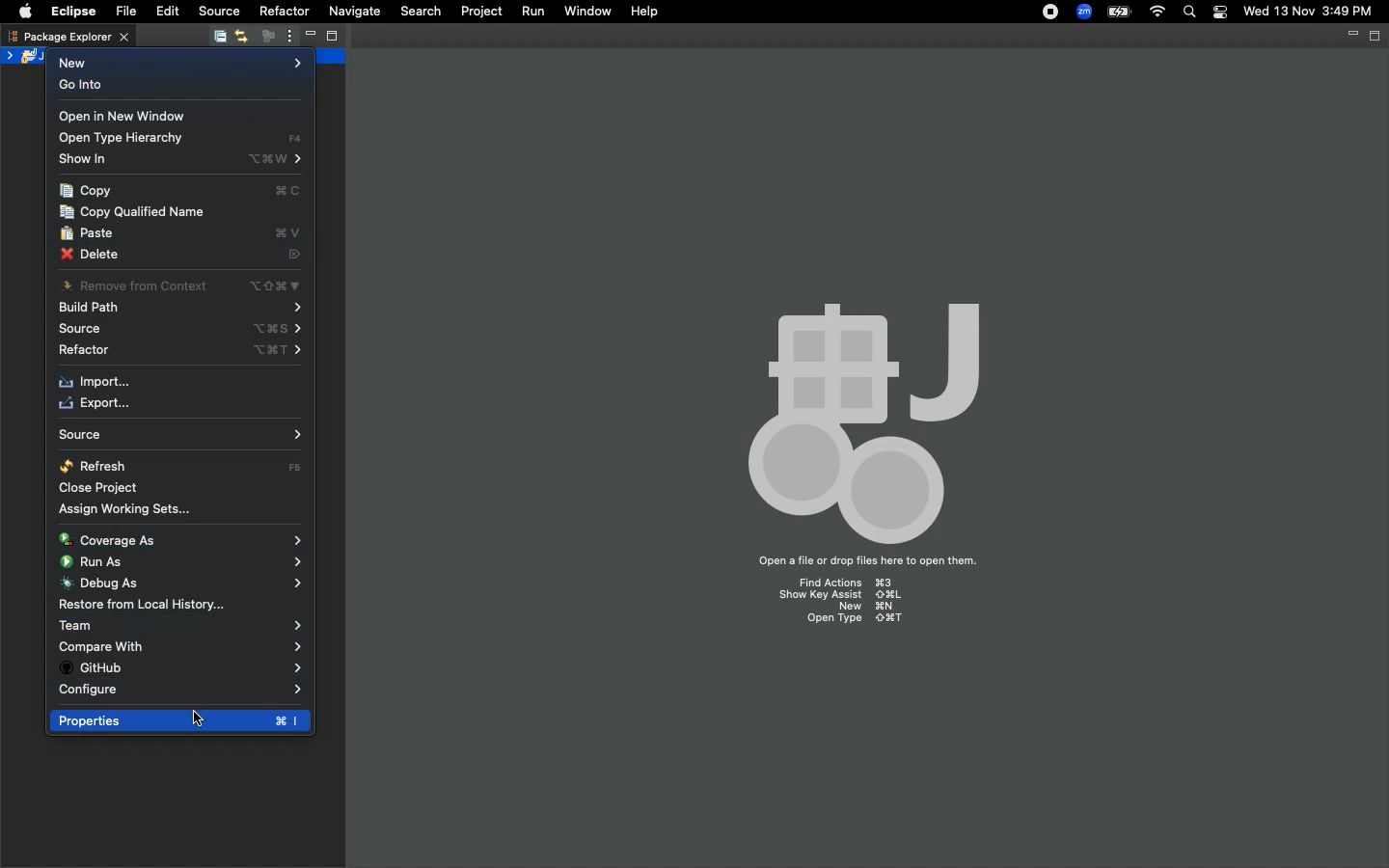 This screenshot has width=1389, height=868. What do you see at coordinates (179, 646) in the screenshot?
I see `Compare with` at bounding box center [179, 646].